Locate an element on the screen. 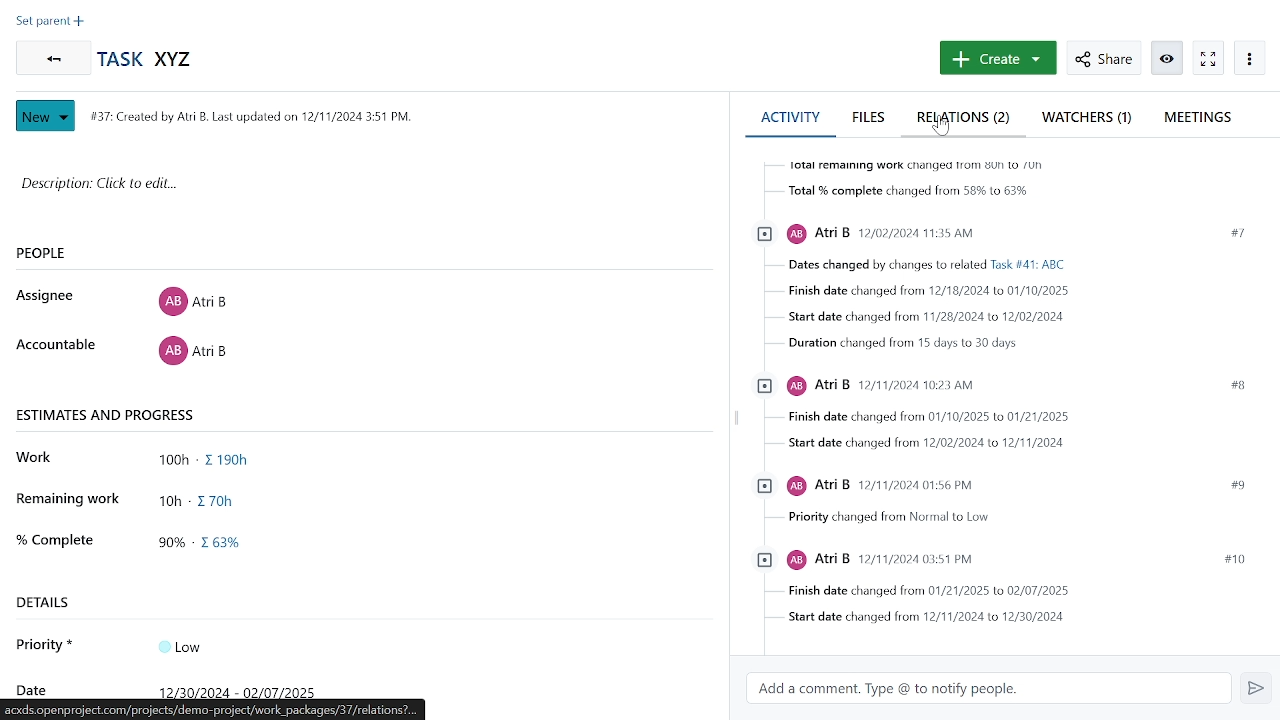 This screenshot has height=720, width=1280. space for adding description is located at coordinates (337, 194).